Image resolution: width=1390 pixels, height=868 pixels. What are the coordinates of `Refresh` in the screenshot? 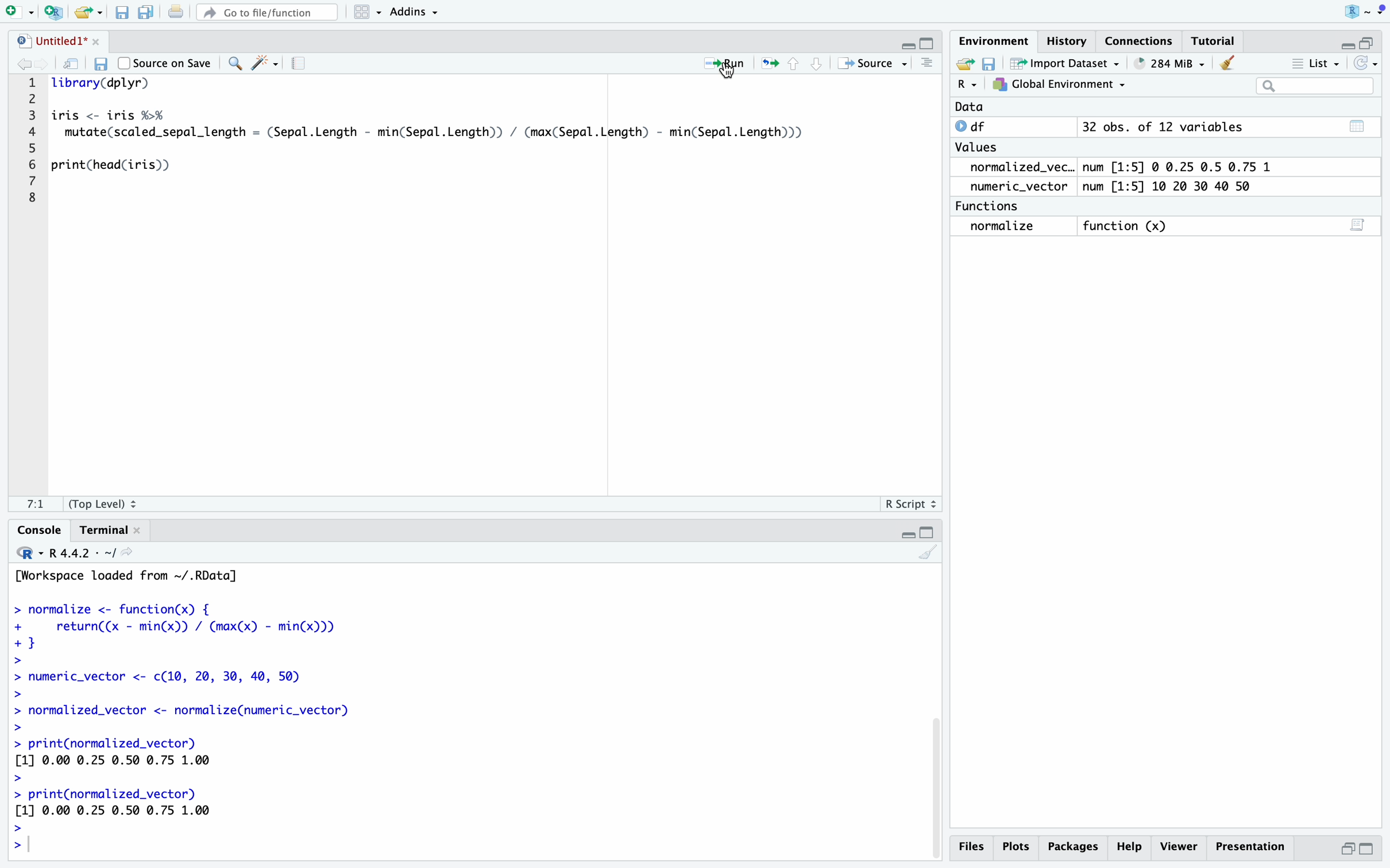 It's located at (72, 63).